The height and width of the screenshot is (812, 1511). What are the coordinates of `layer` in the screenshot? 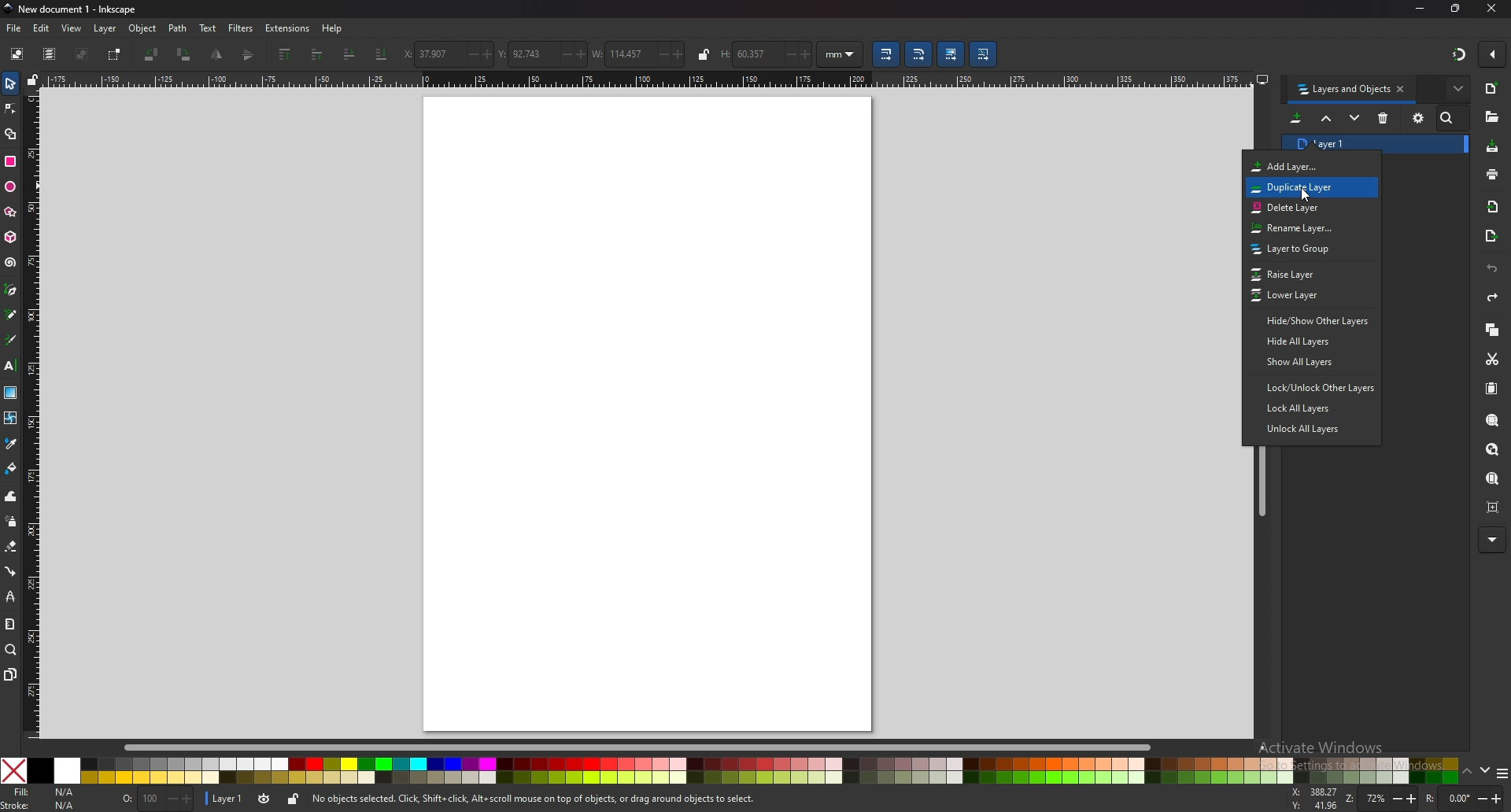 It's located at (105, 28).